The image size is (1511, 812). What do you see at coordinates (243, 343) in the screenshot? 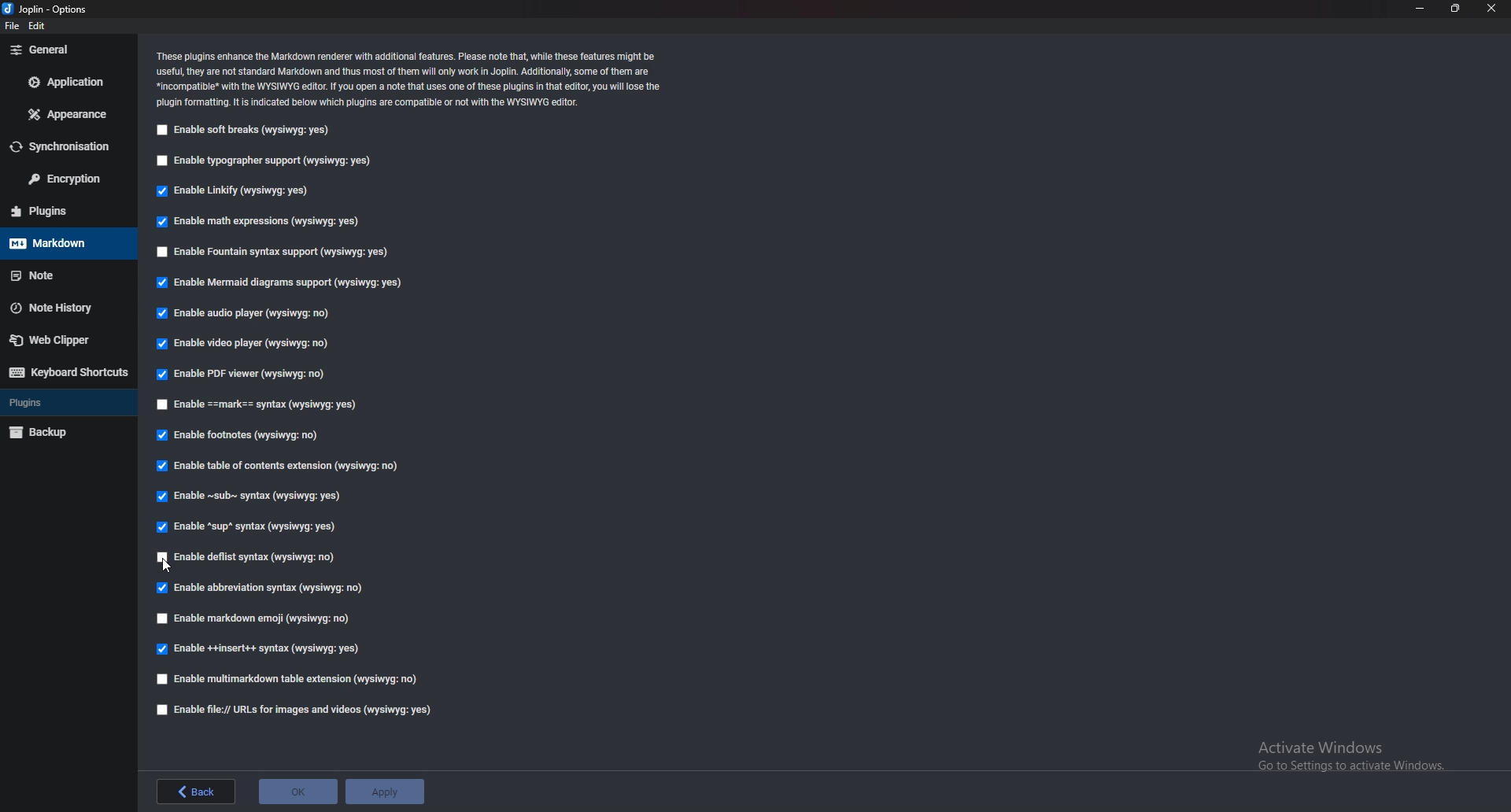
I see `Enable video player` at bounding box center [243, 343].